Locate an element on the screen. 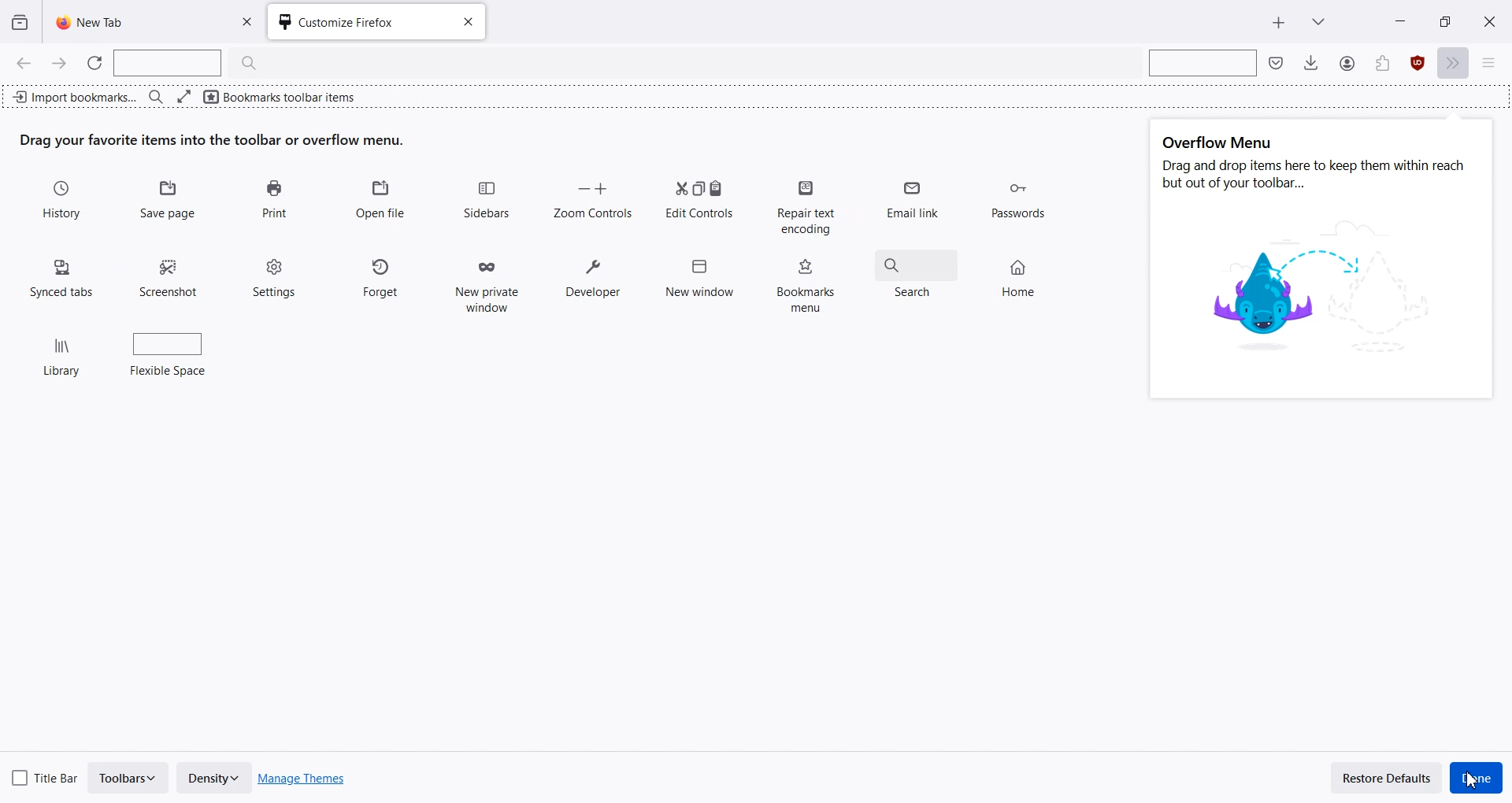 The height and width of the screenshot is (803, 1512). New private window is located at coordinates (485, 281).